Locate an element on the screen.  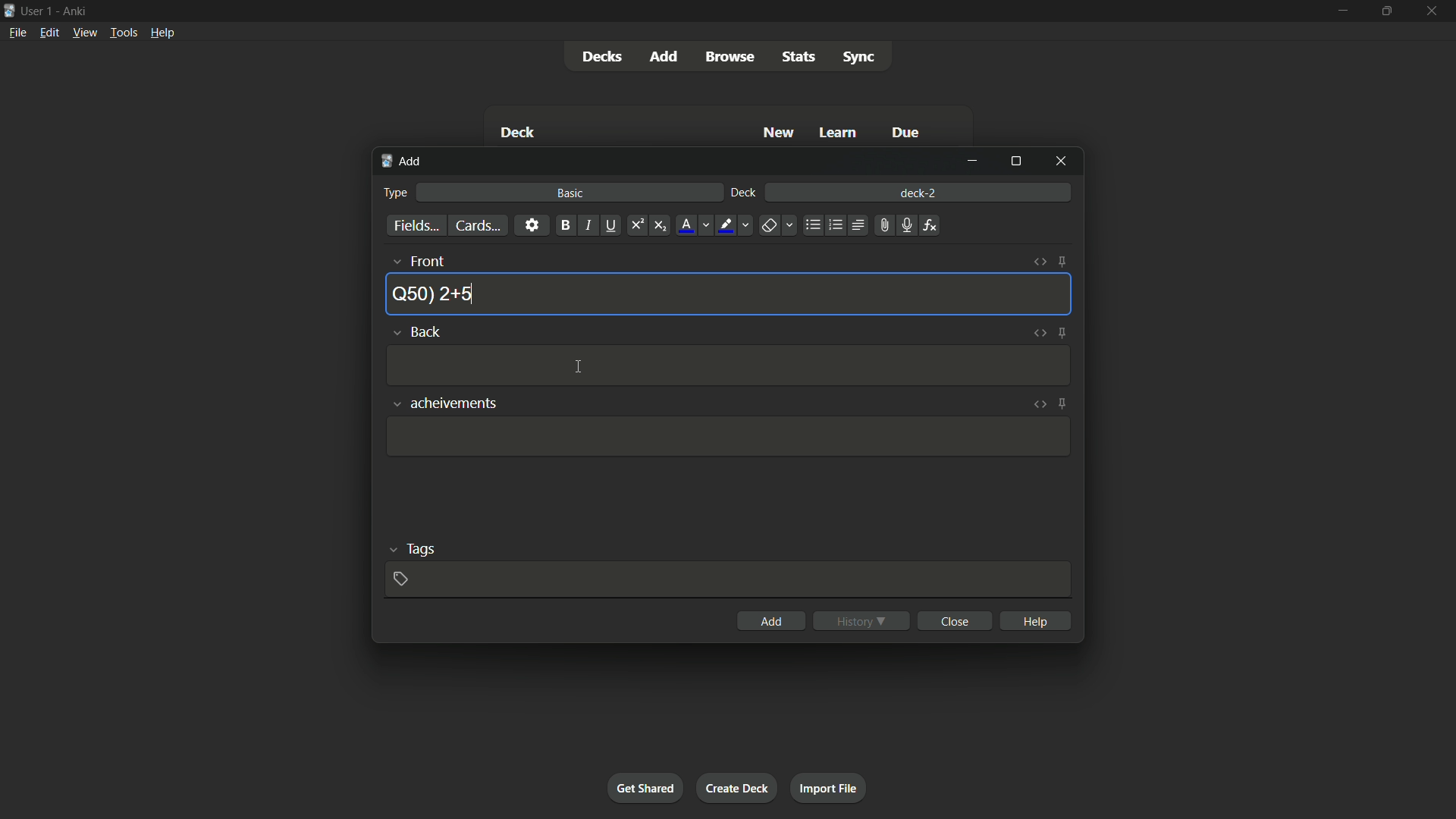
toggle sticky is located at coordinates (1062, 263).